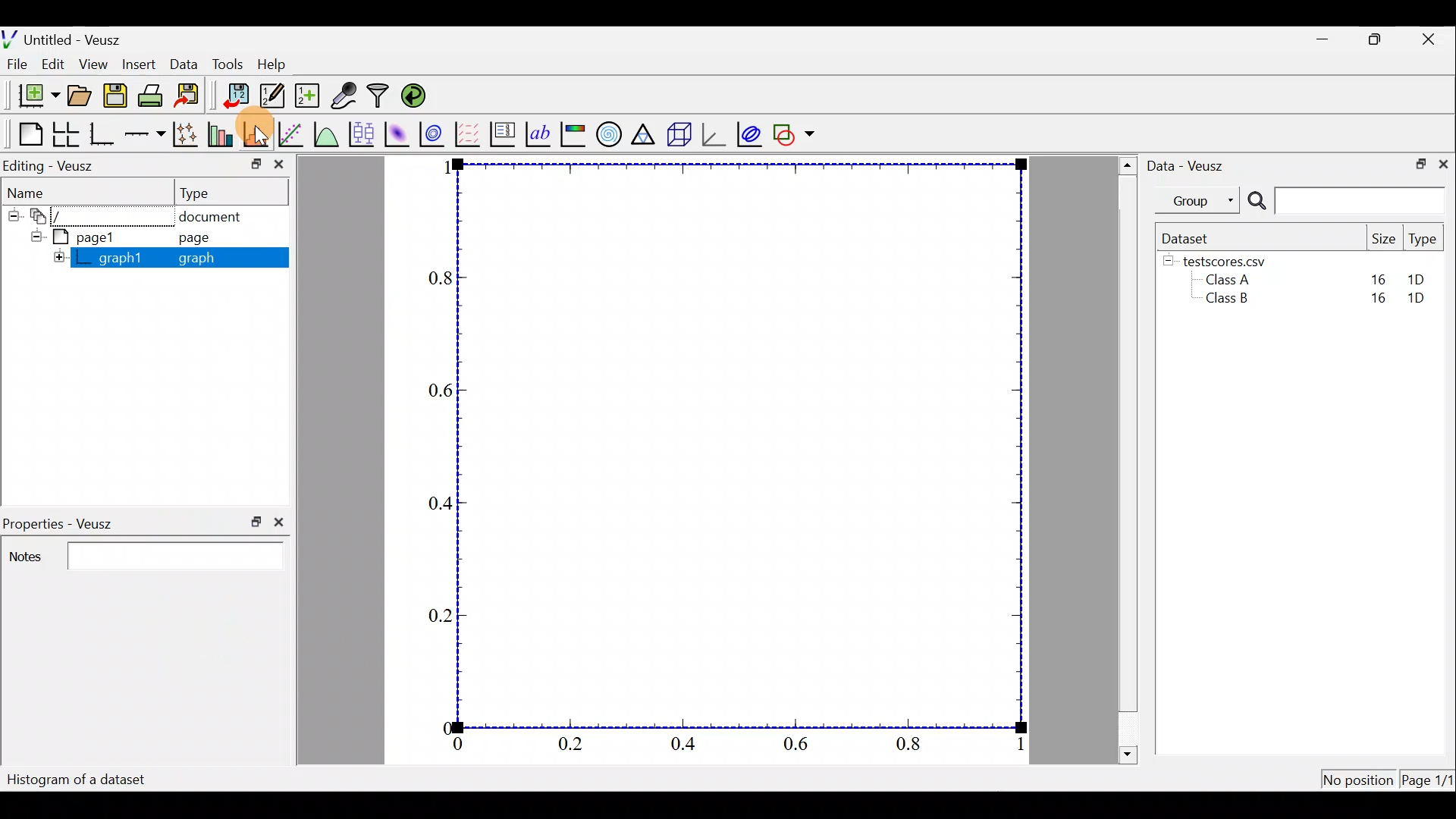 The height and width of the screenshot is (819, 1456). Describe the element at coordinates (232, 192) in the screenshot. I see `Type` at that location.